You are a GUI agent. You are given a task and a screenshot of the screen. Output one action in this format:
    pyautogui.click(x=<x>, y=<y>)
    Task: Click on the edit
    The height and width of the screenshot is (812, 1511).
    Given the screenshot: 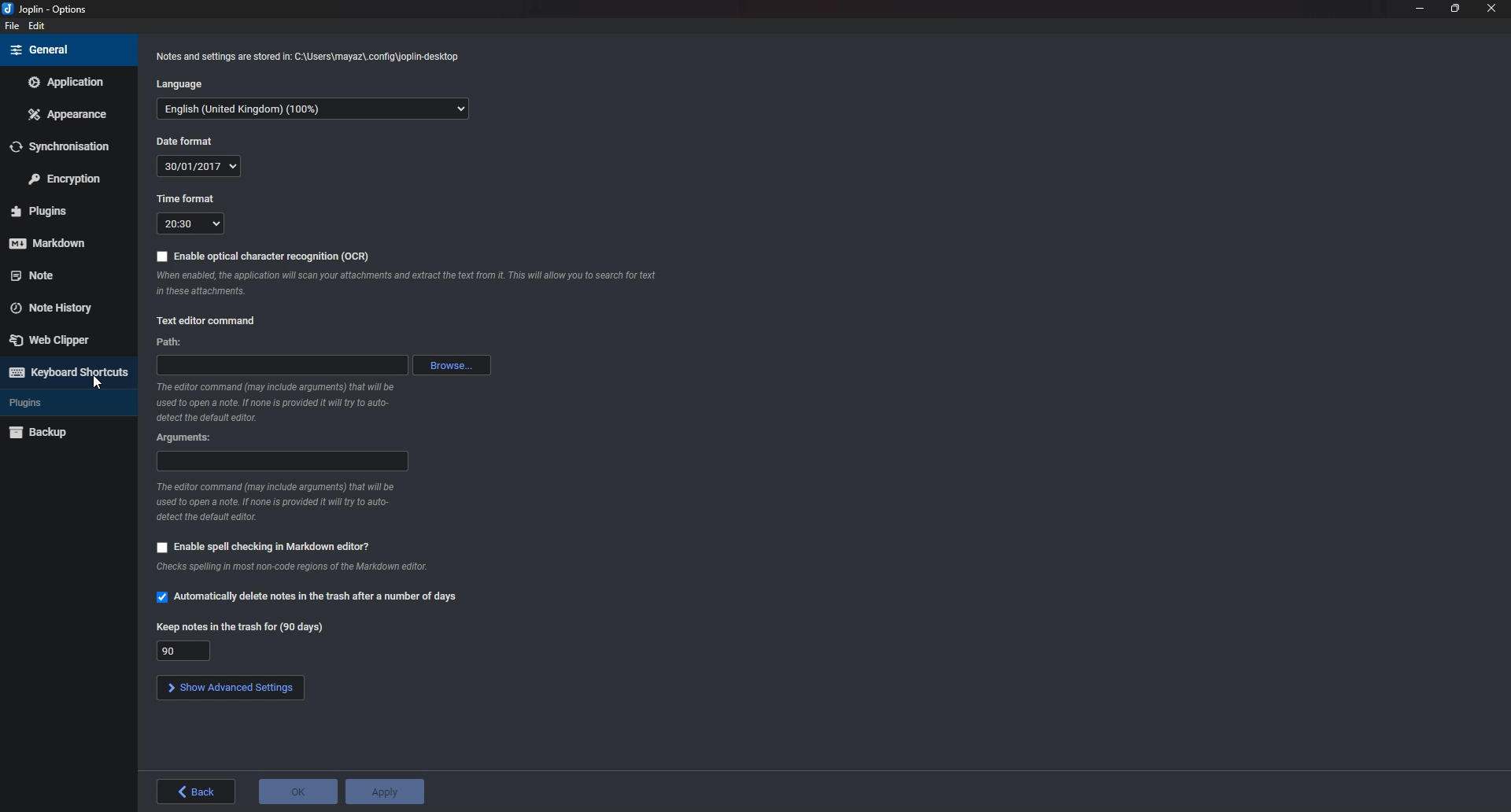 What is the action you would take?
    pyautogui.click(x=38, y=26)
    